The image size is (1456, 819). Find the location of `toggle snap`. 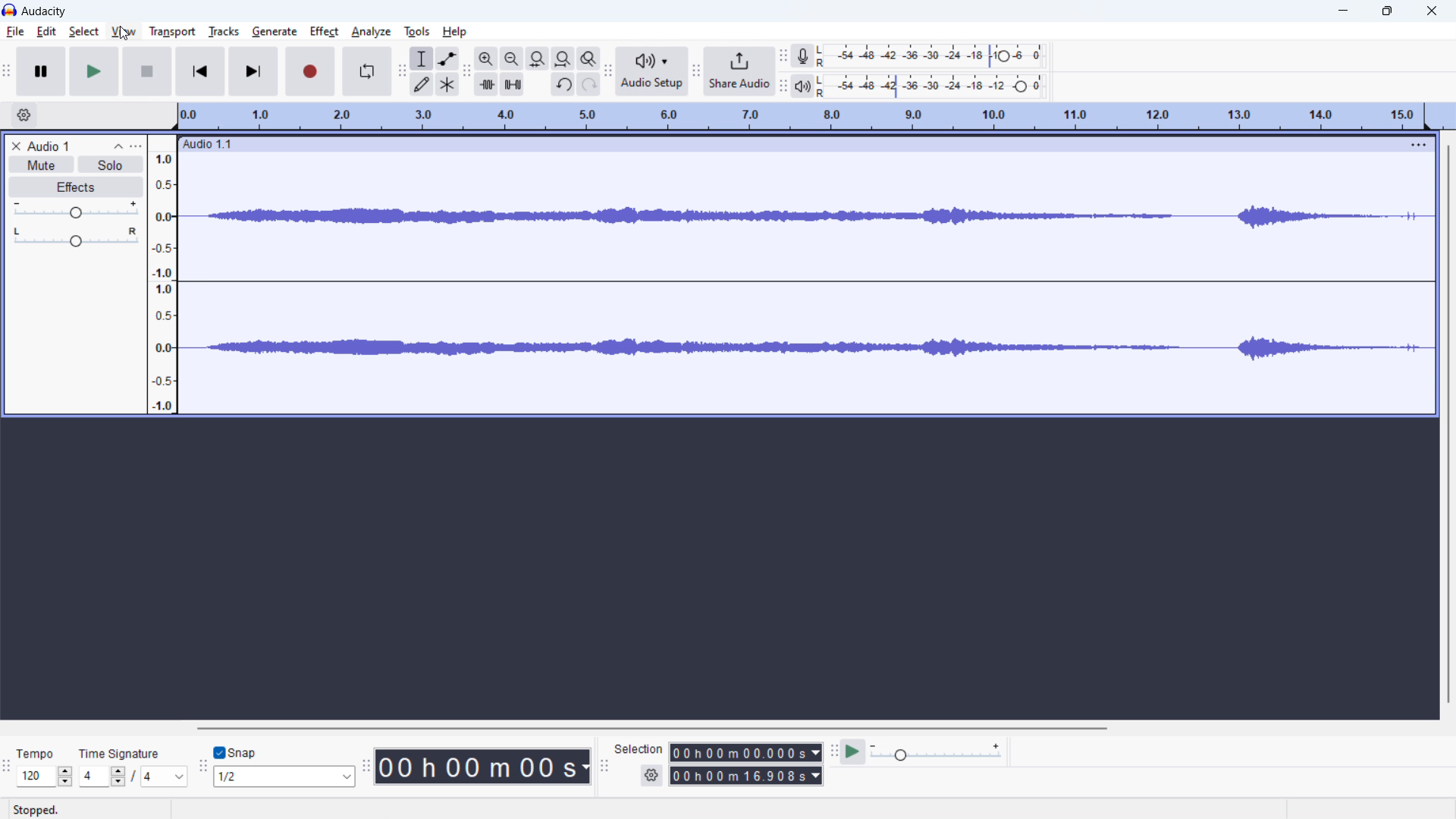

toggle snap is located at coordinates (234, 752).